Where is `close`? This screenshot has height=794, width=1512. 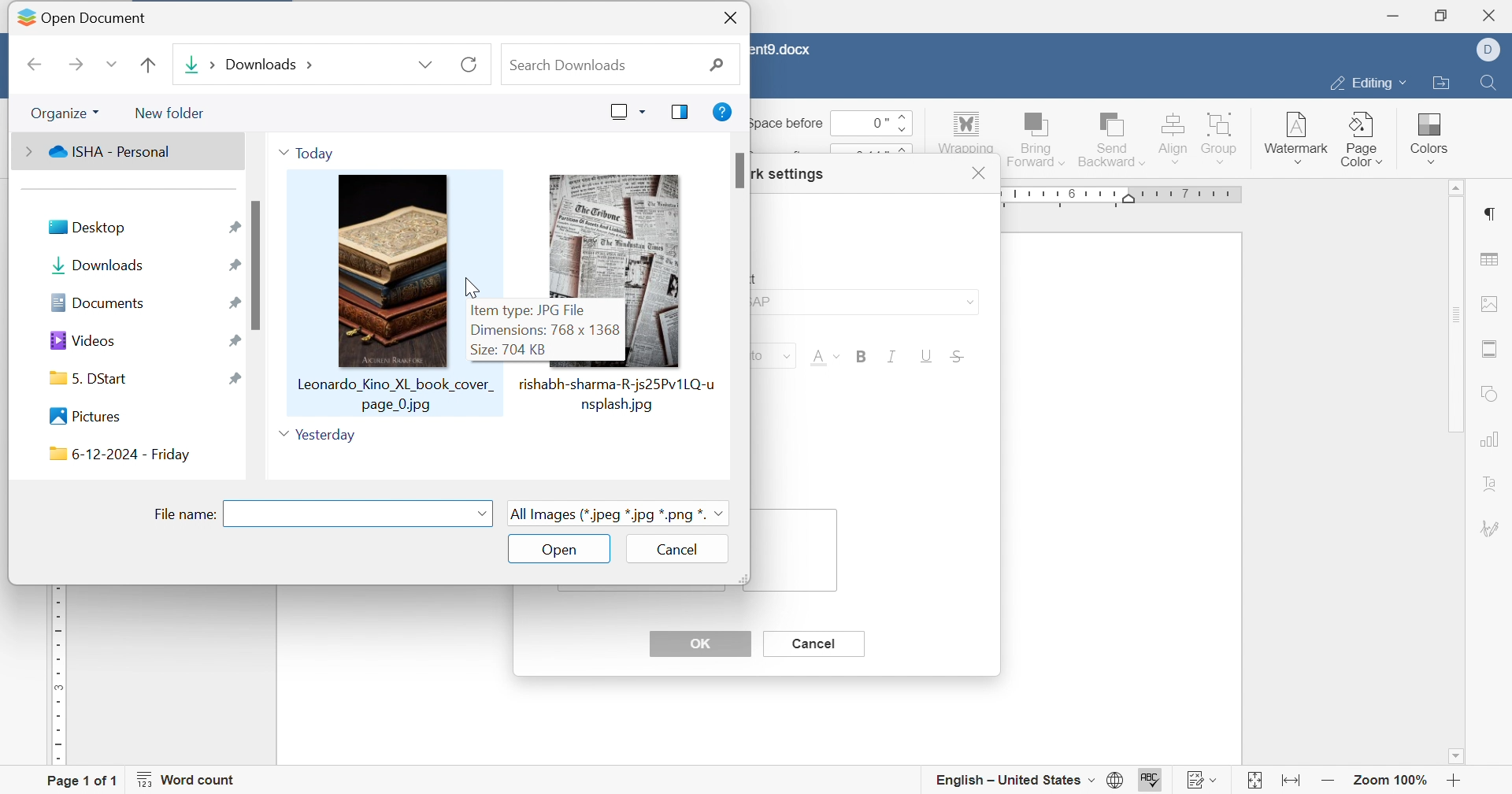
close is located at coordinates (1494, 15).